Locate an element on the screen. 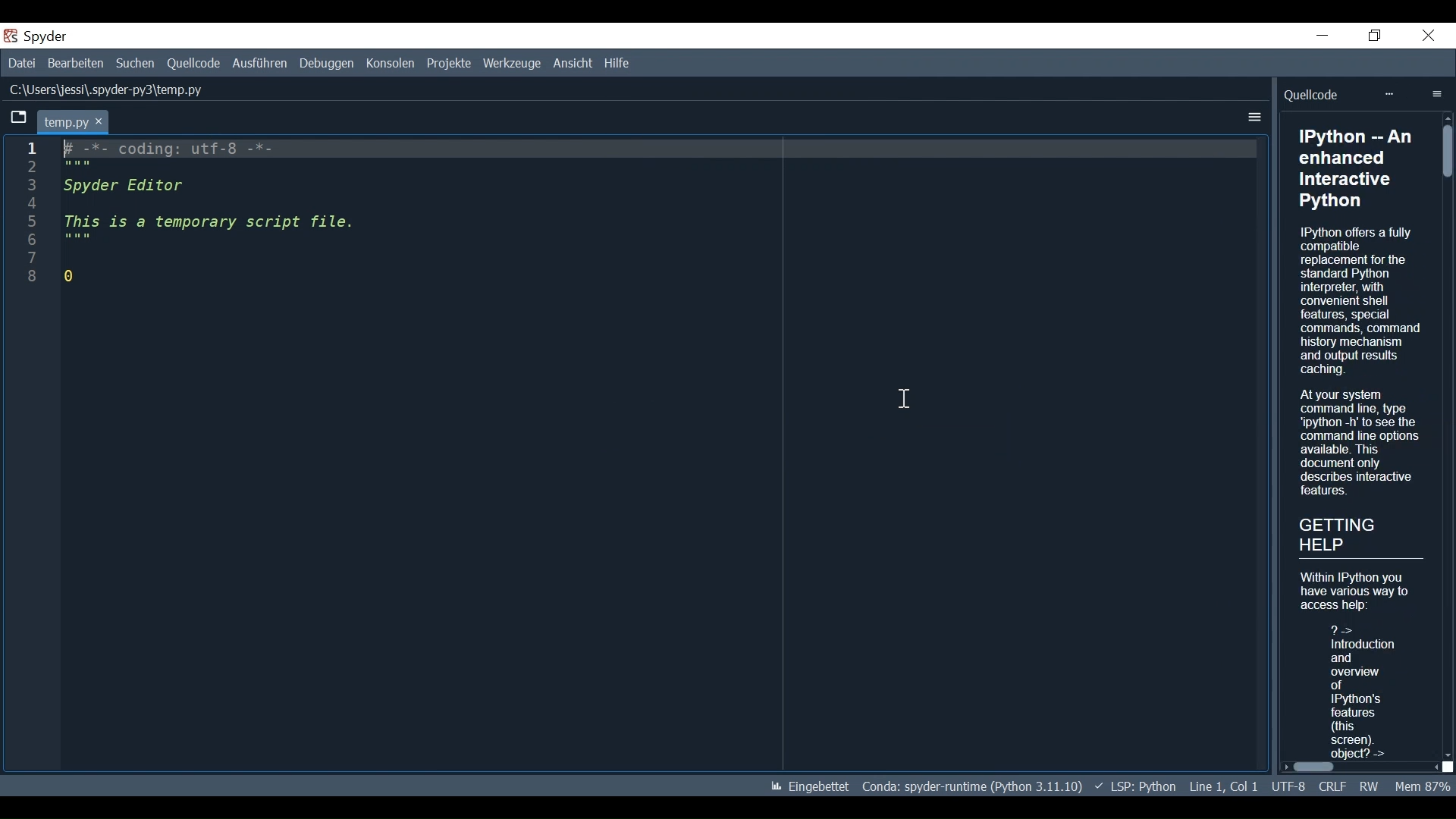 The height and width of the screenshot is (819, 1456). More is located at coordinates (1387, 95).